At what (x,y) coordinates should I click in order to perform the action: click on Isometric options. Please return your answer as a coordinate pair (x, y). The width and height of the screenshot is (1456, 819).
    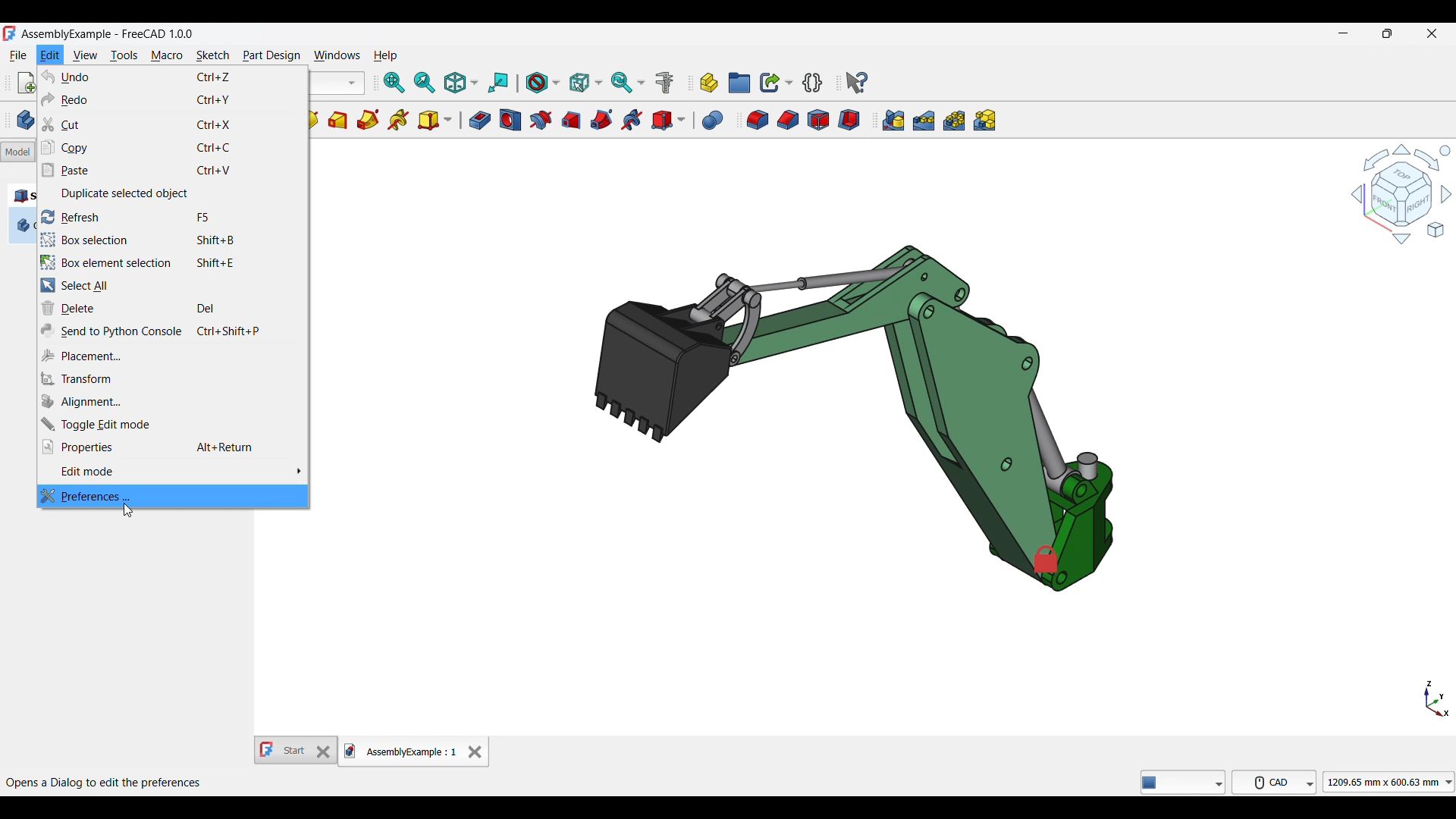
    Looking at the image, I should click on (461, 83).